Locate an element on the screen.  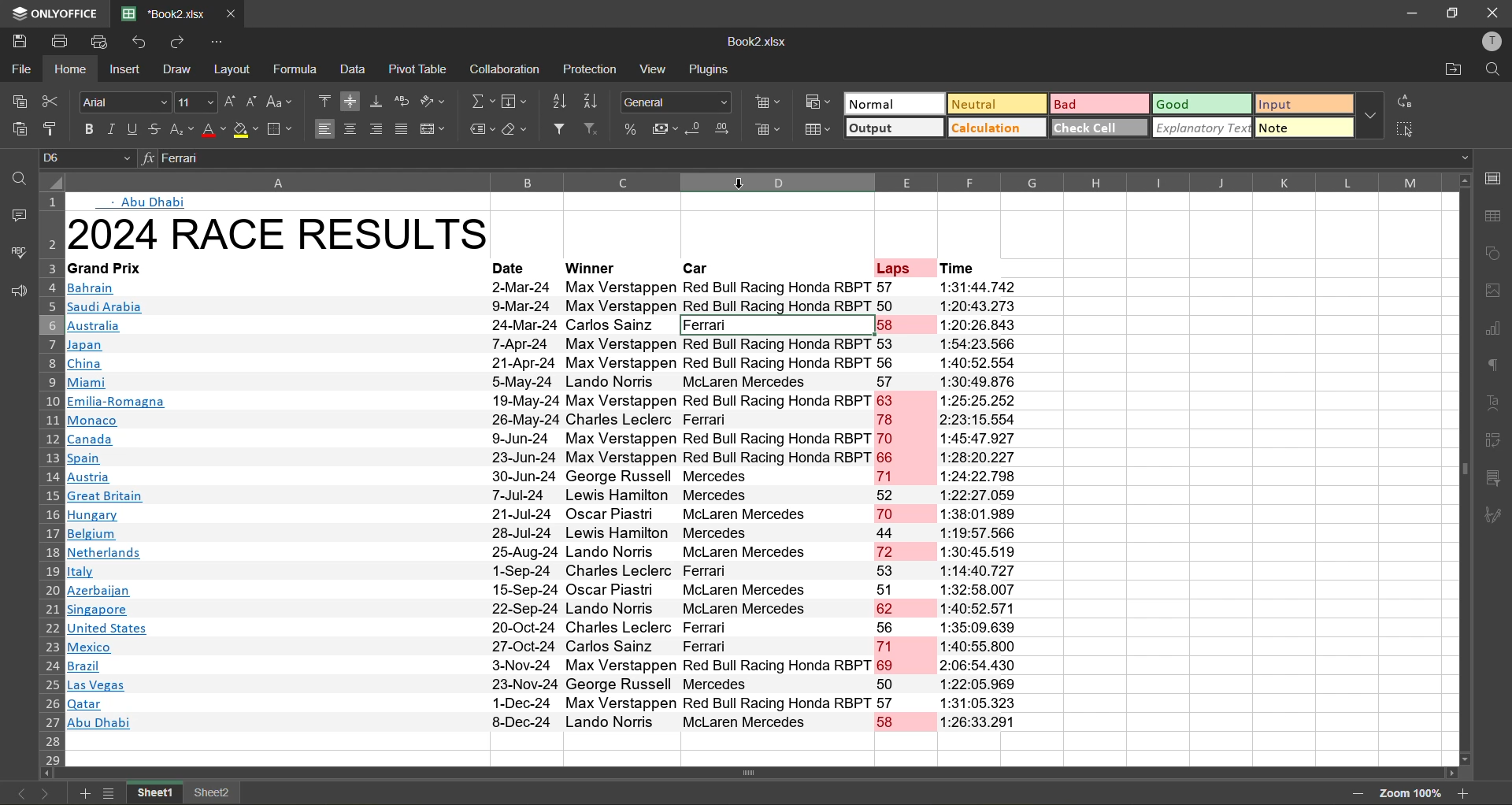
input is located at coordinates (1303, 103).